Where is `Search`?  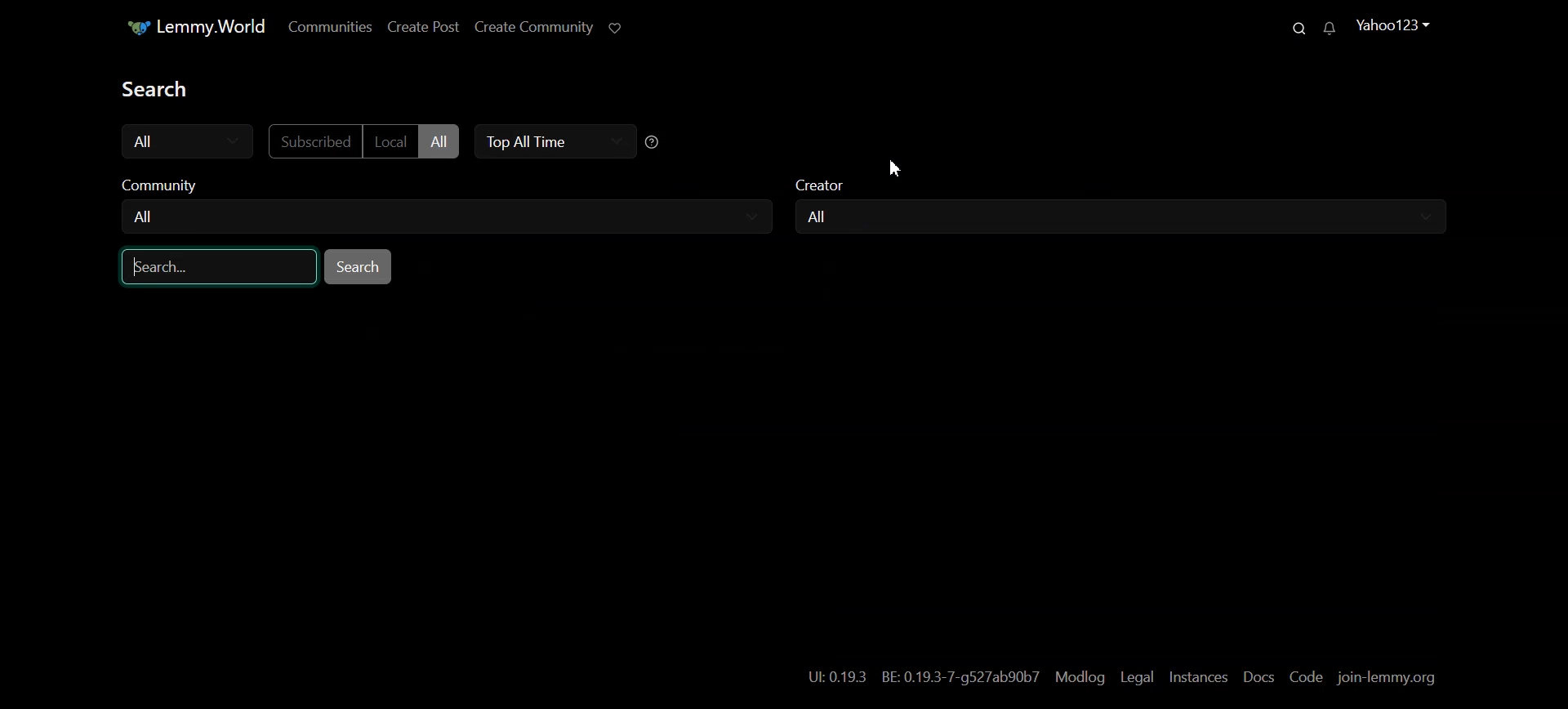
Search is located at coordinates (1293, 27).